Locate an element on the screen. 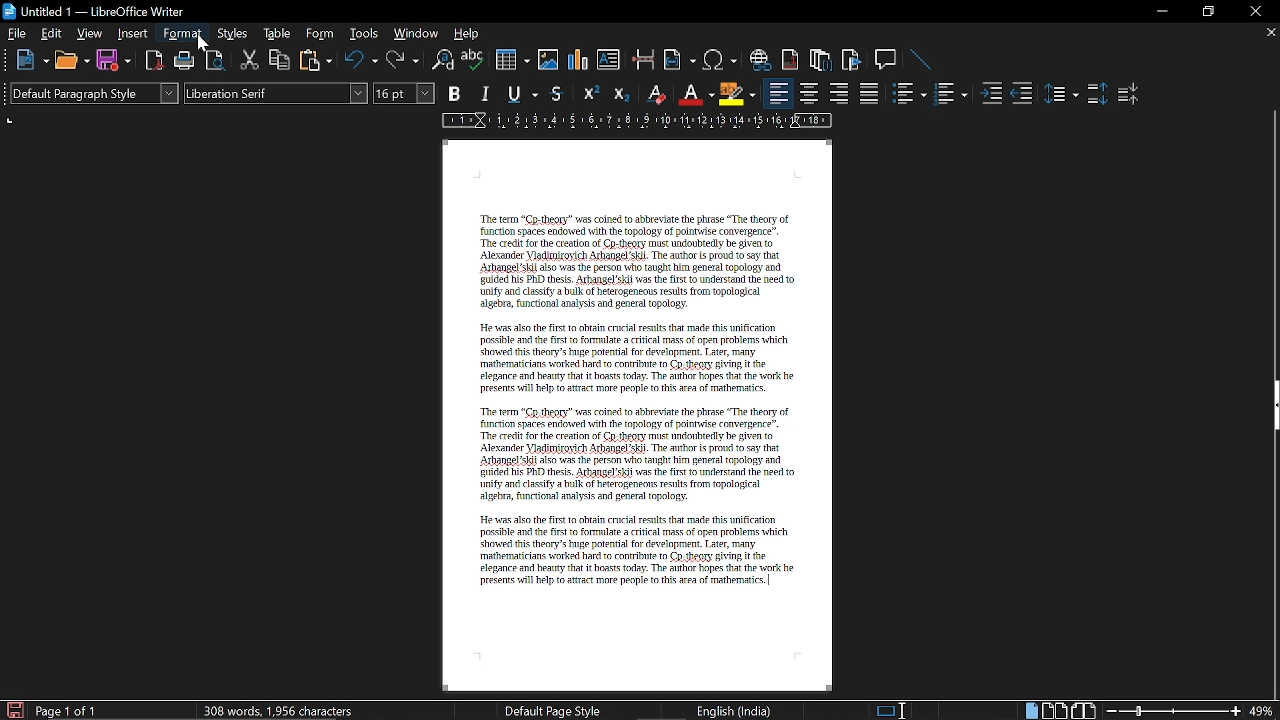  New is located at coordinates (30, 63).